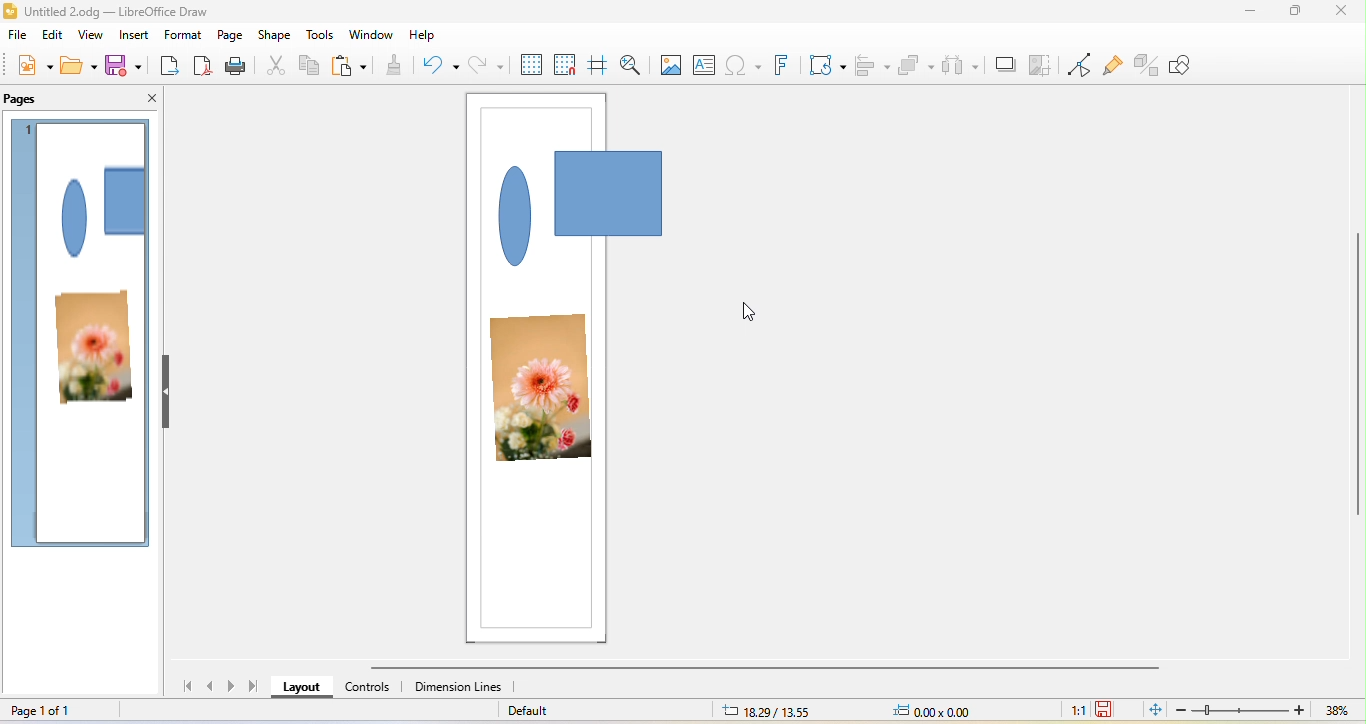 The height and width of the screenshot is (724, 1366). Describe the element at coordinates (963, 65) in the screenshot. I see `select at least three object to distribute` at that location.